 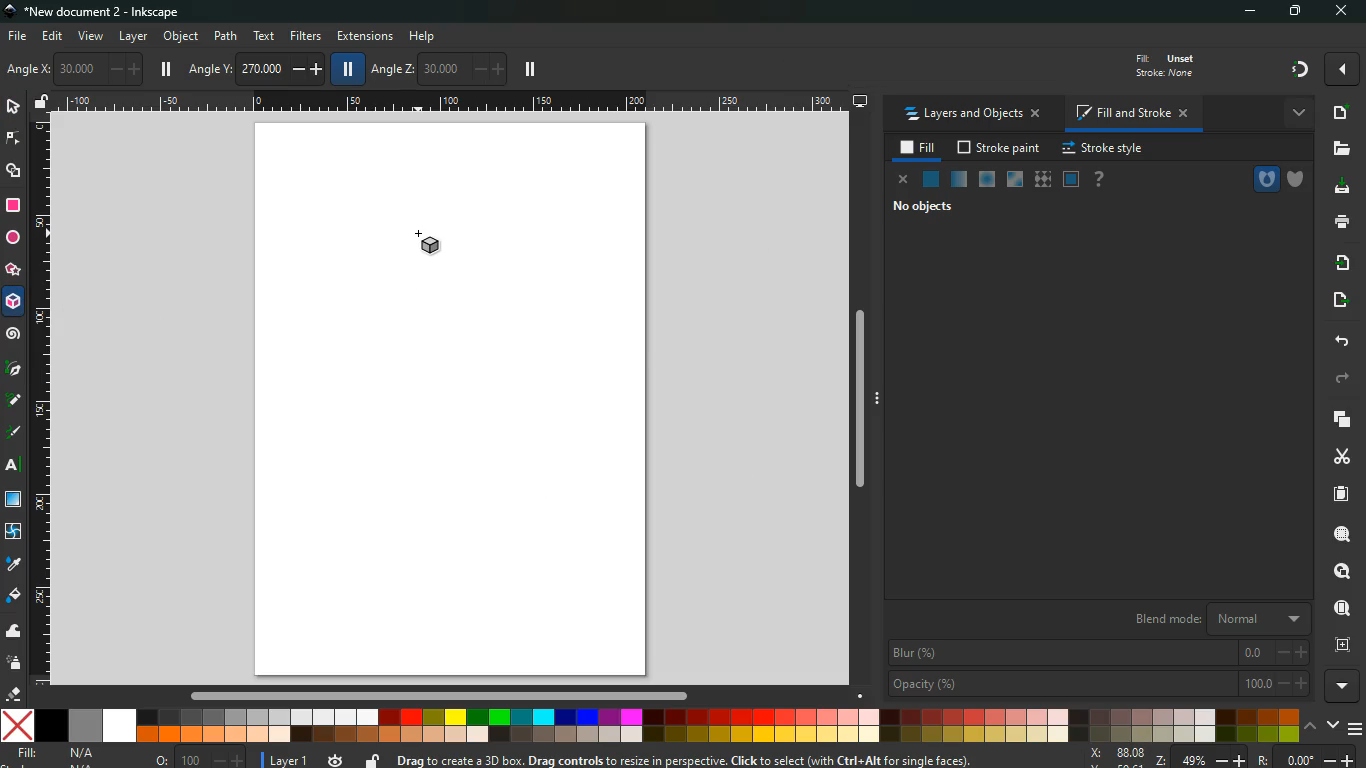 I want to click on edge, so click(x=14, y=139).